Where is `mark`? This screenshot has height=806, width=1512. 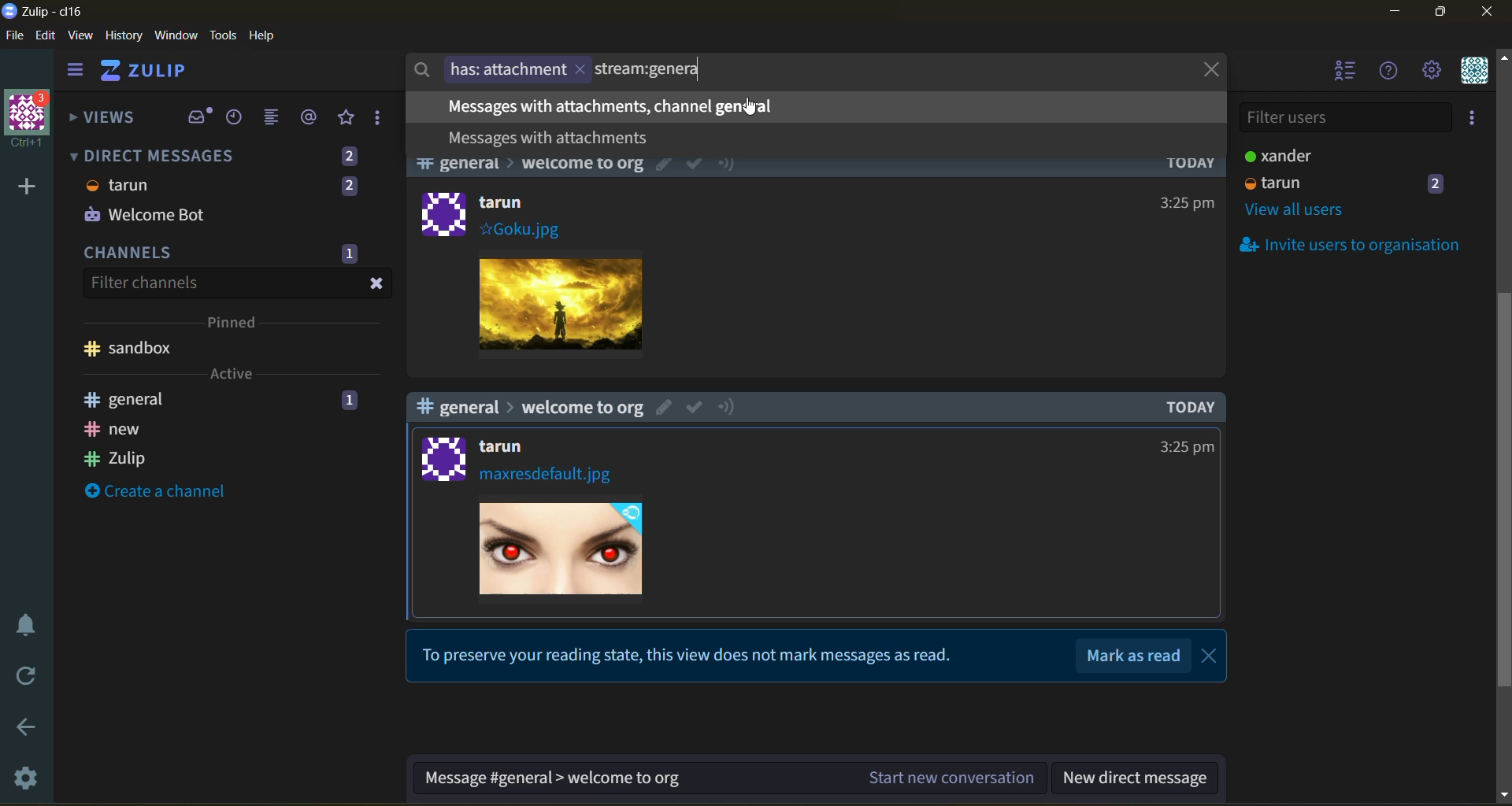
mark is located at coordinates (695, 165).